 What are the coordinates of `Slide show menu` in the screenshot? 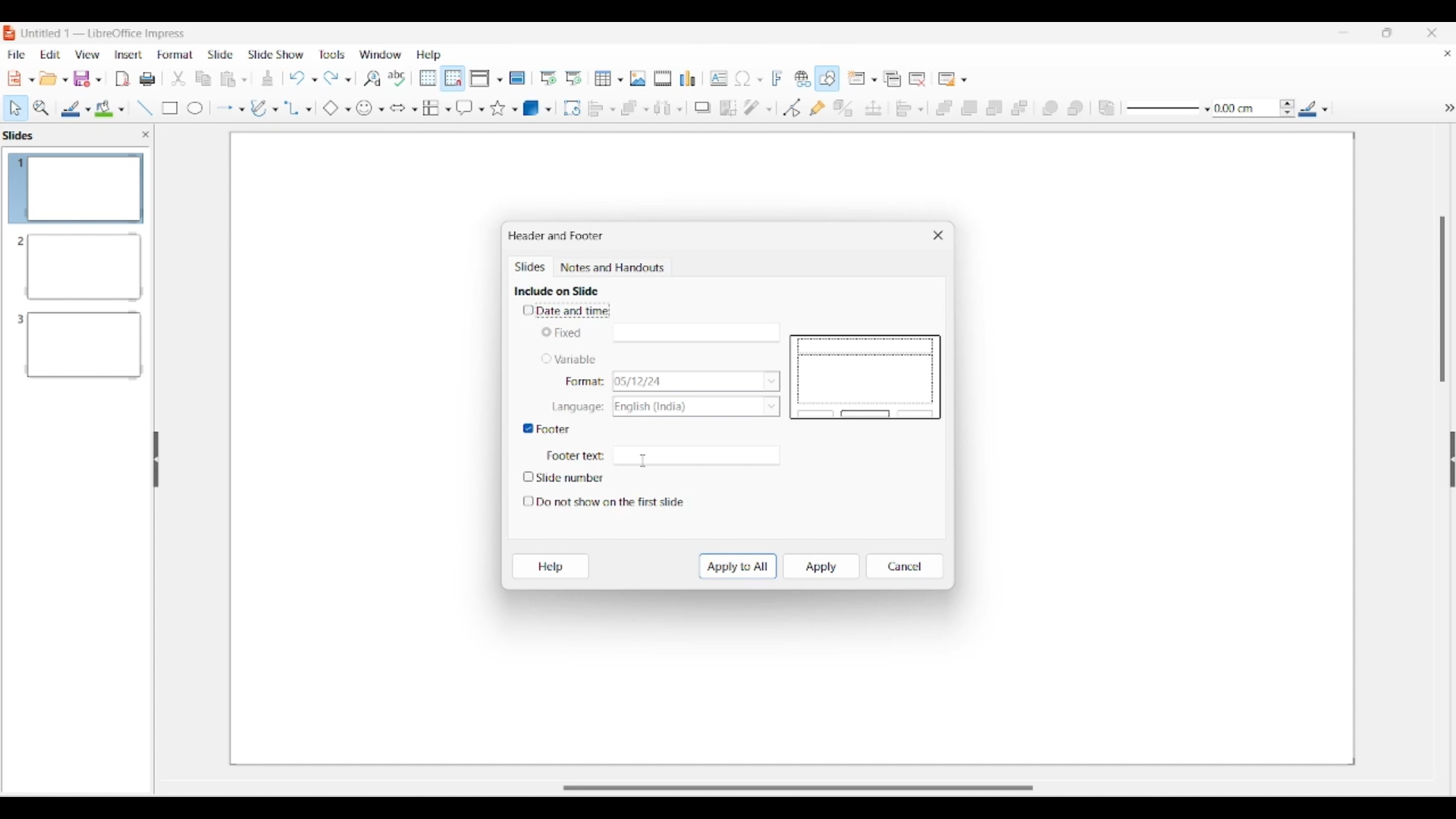 It's located at (275, 55).